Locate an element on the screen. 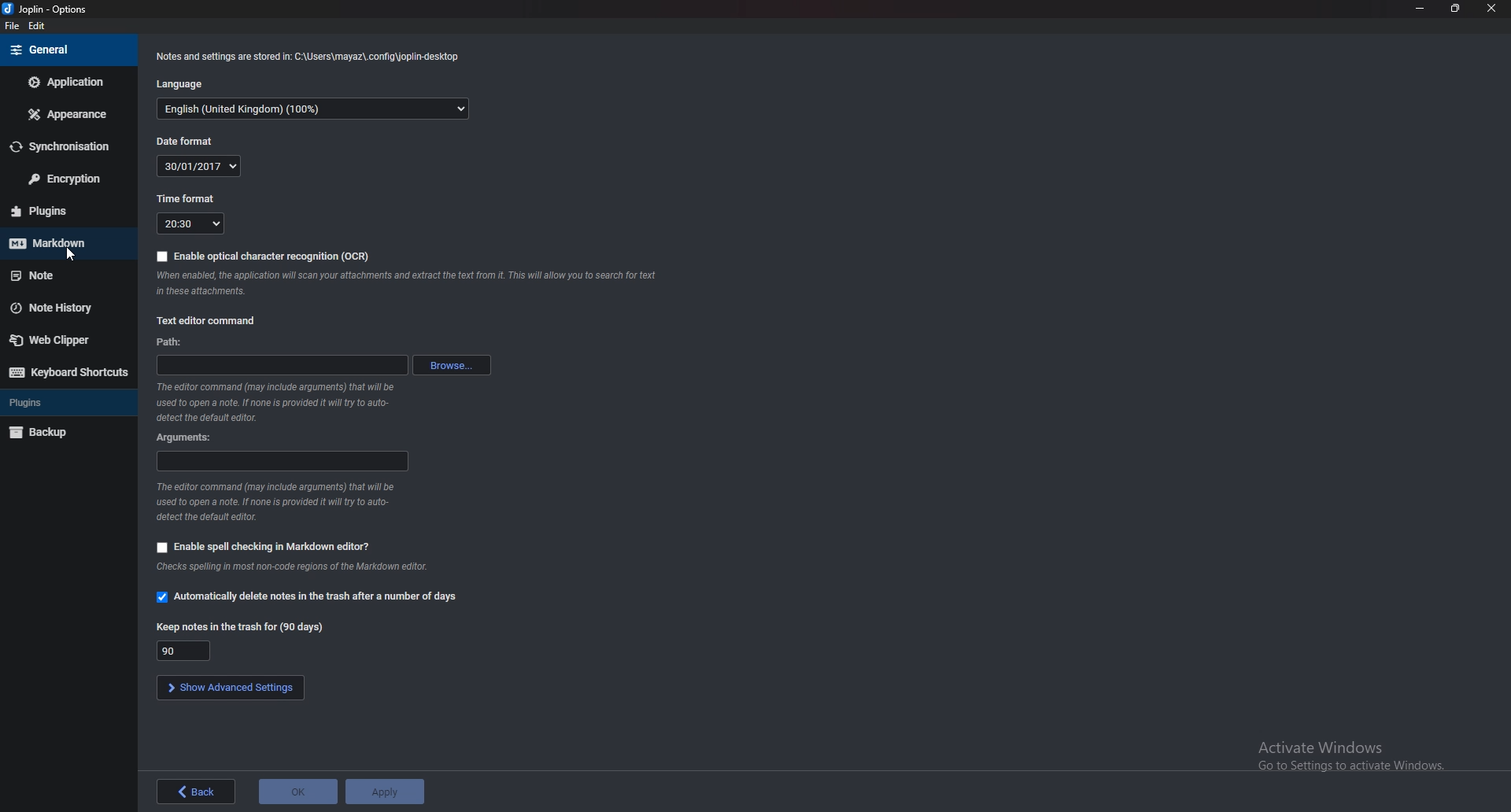 The height and width of the screenshot is (812, 1511). resize is located at coordinates (1457, 8).